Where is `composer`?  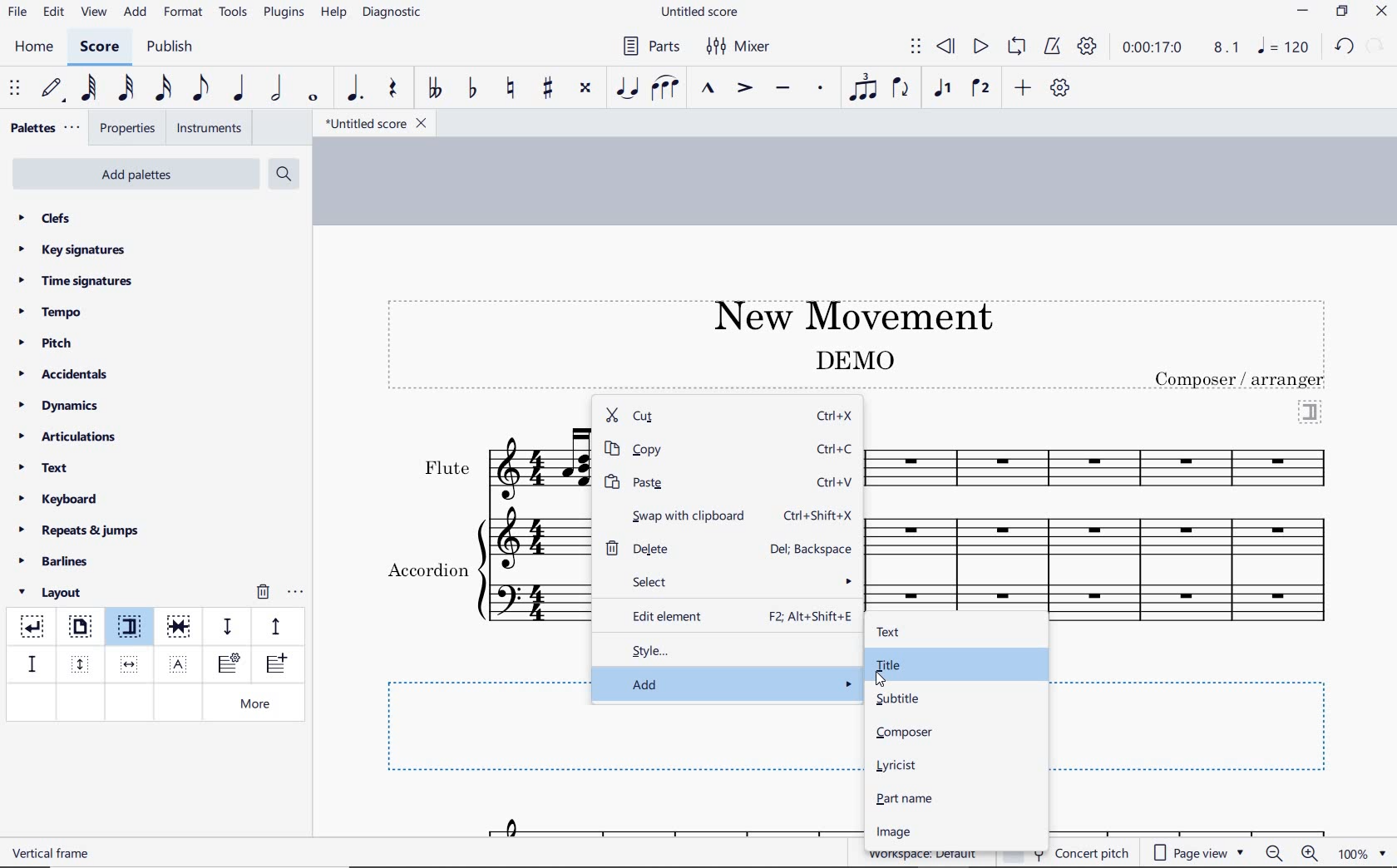 composer is located at coordinates (906, 732).